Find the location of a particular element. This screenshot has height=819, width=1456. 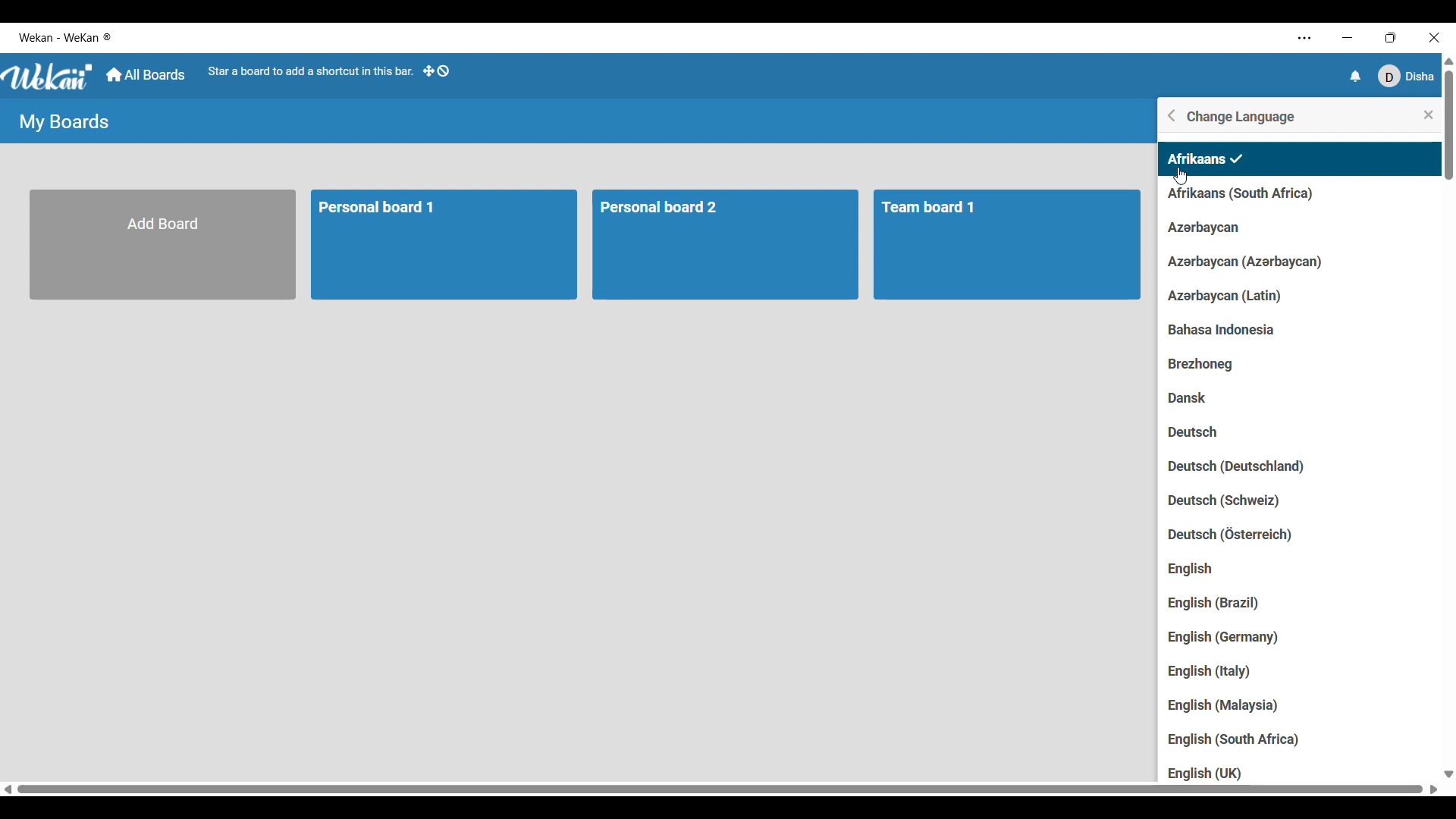

show desktop drag hand is located at coordinates (439, 73).